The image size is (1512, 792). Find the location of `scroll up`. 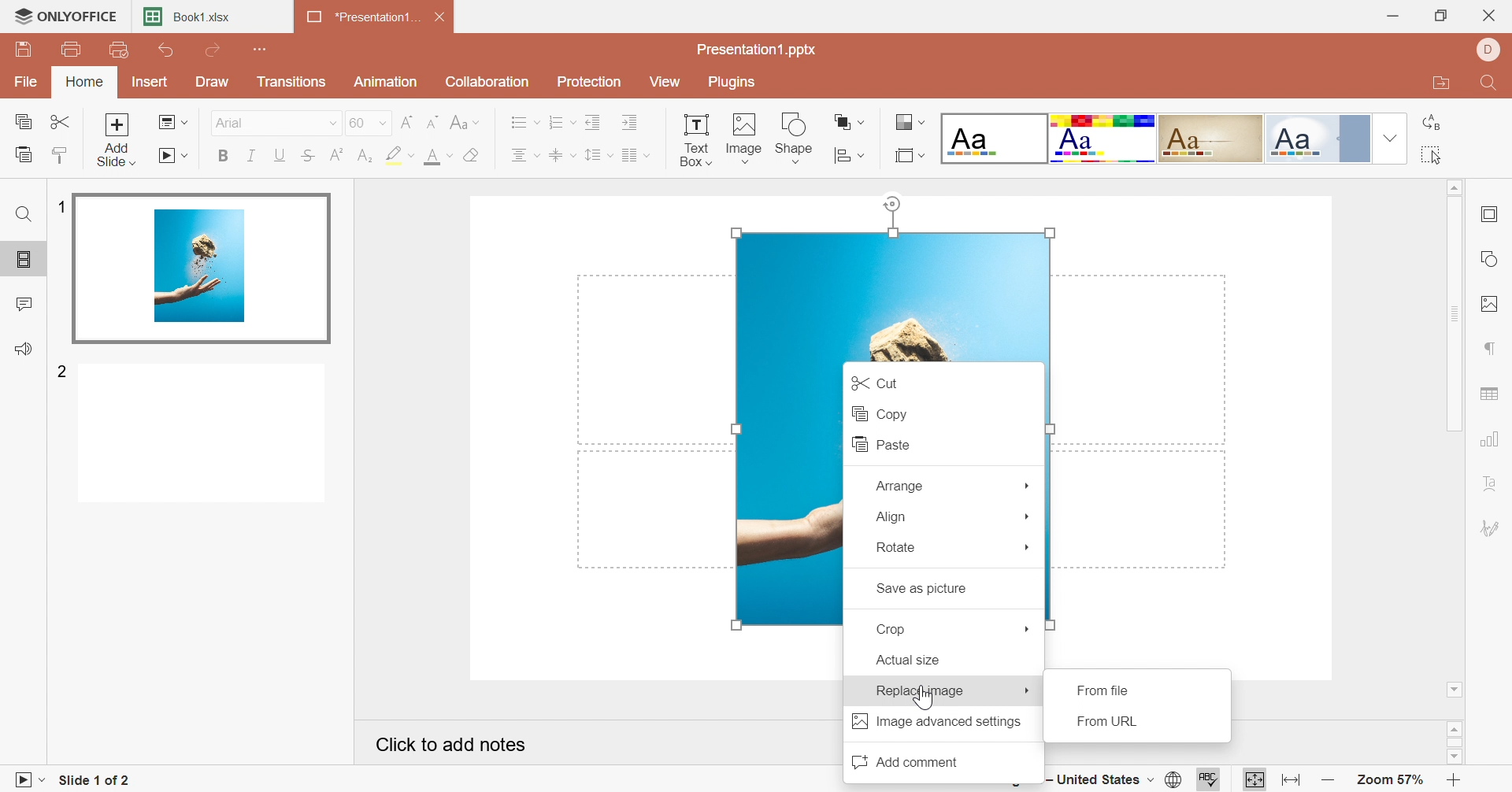

scroll up is located at coordinates (1455, 727).